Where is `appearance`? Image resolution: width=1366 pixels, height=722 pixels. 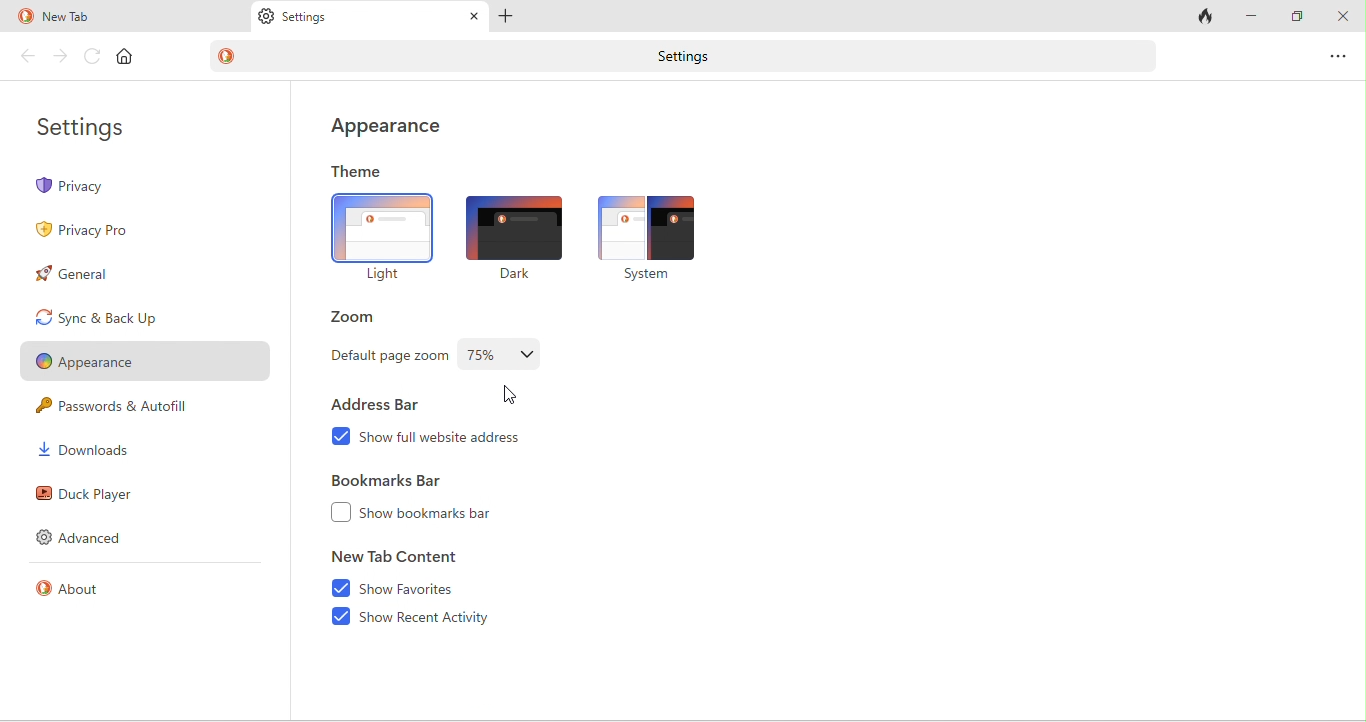
appearance is located at coordinates (142, 364).